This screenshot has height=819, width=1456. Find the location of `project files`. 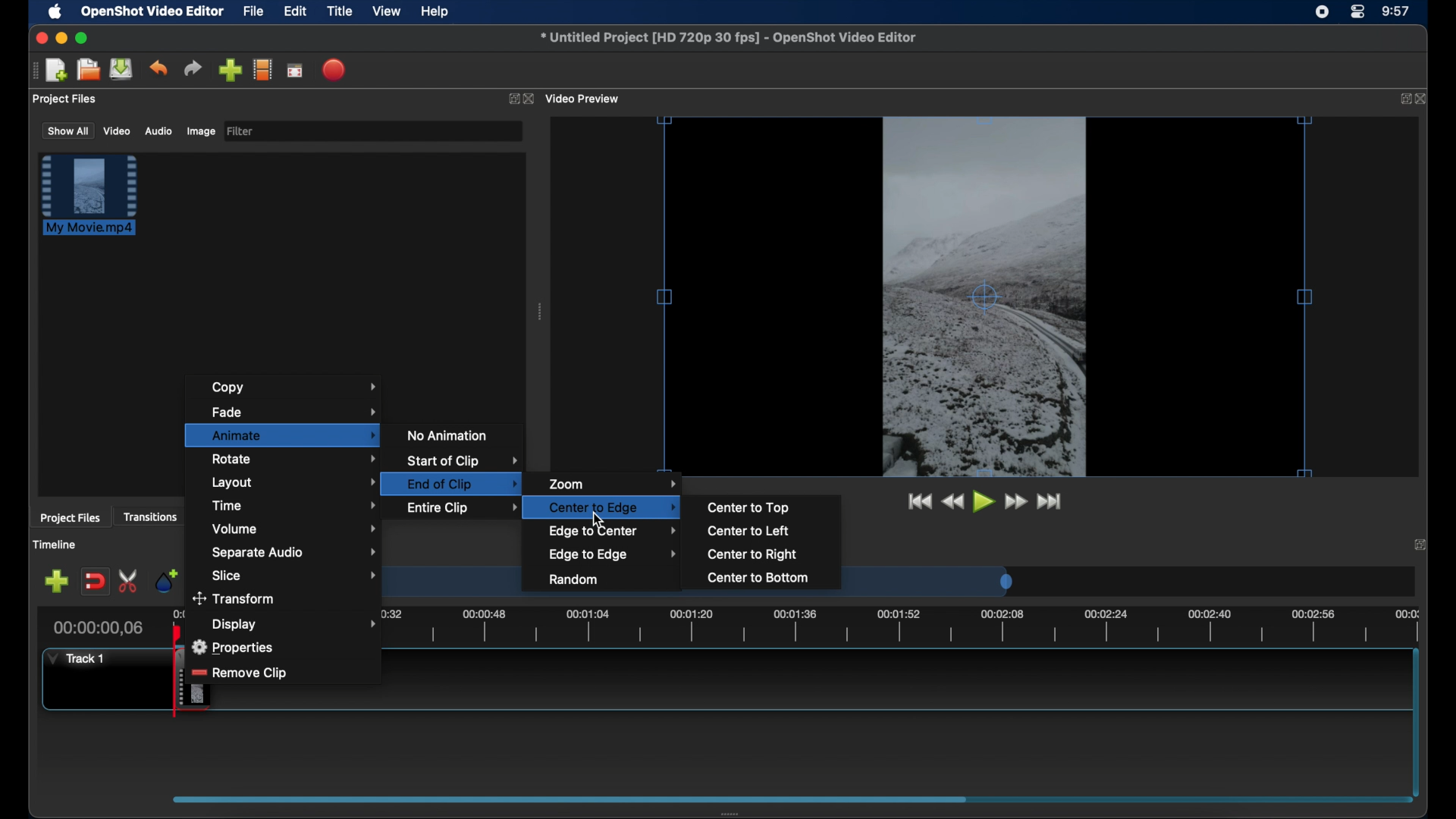

project files is located at coordinates (66, 99).